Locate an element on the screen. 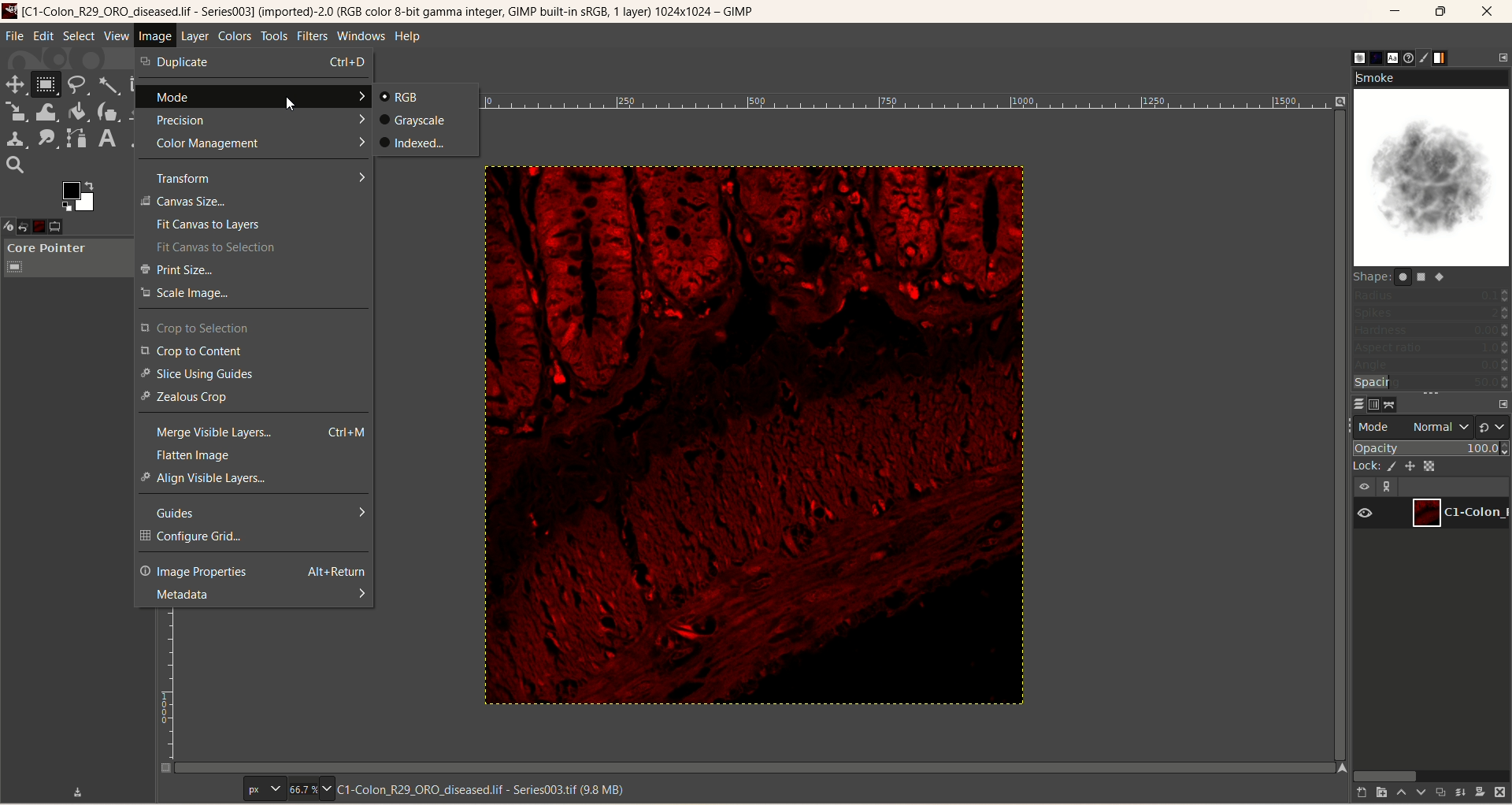 The image size is (1512, 805). pixels is located at coordinates (267, 788).